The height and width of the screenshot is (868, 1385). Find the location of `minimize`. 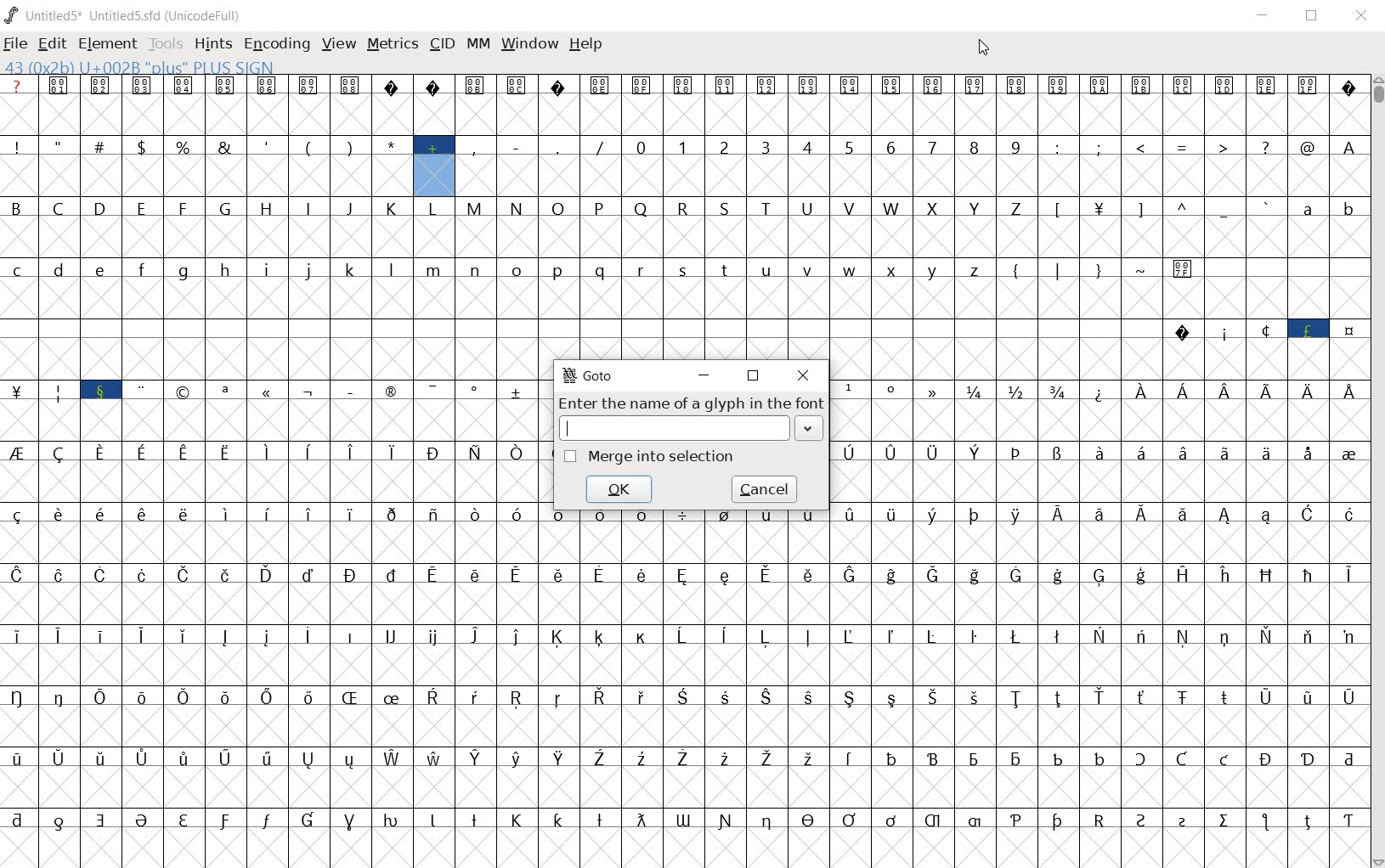

minimize is located at coordinates (1263, 15).